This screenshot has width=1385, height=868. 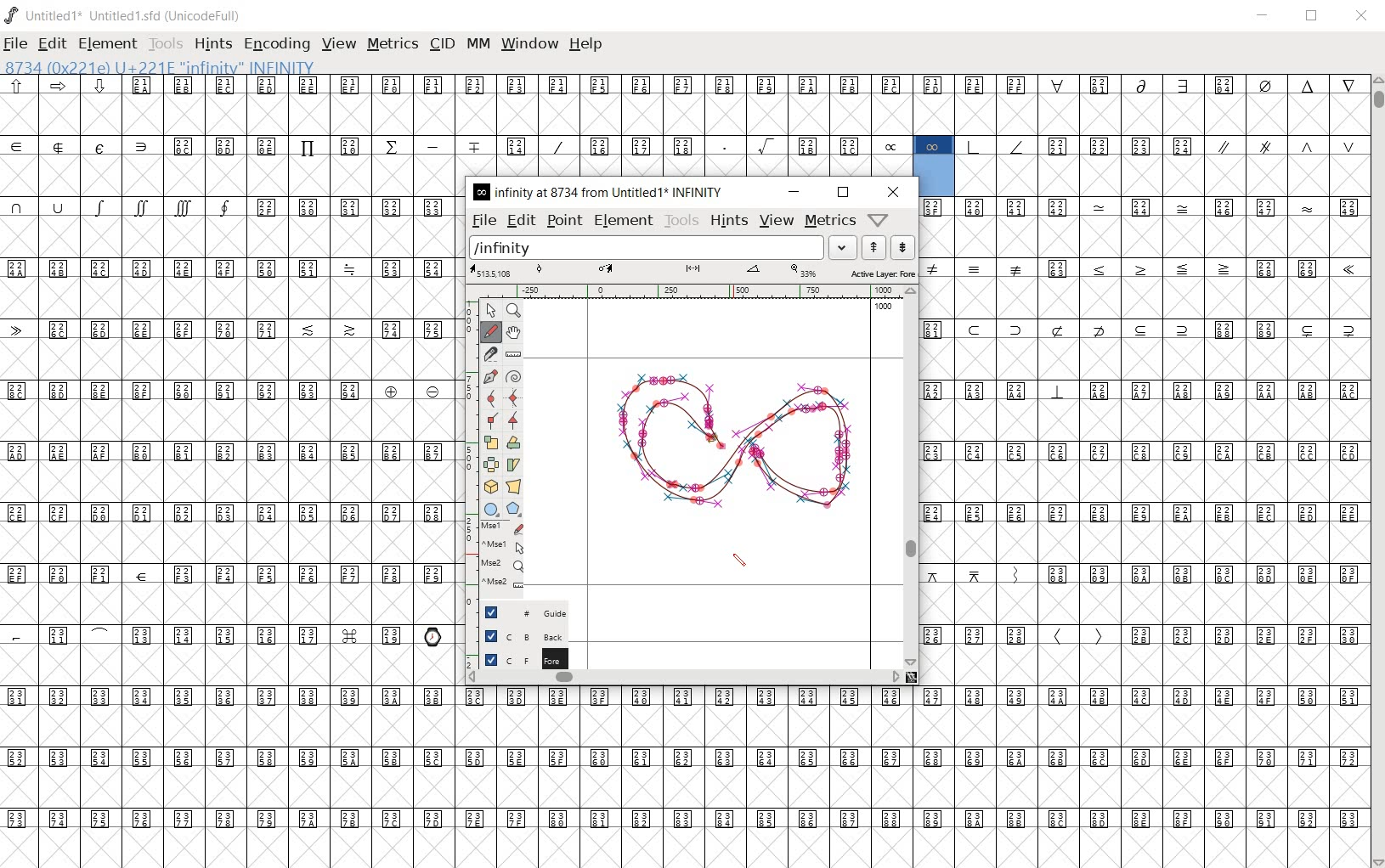 What do you see at coordinates (512, 442) in the screenshot?
I see `Rotate the selection` at bounding box center [512, 442].